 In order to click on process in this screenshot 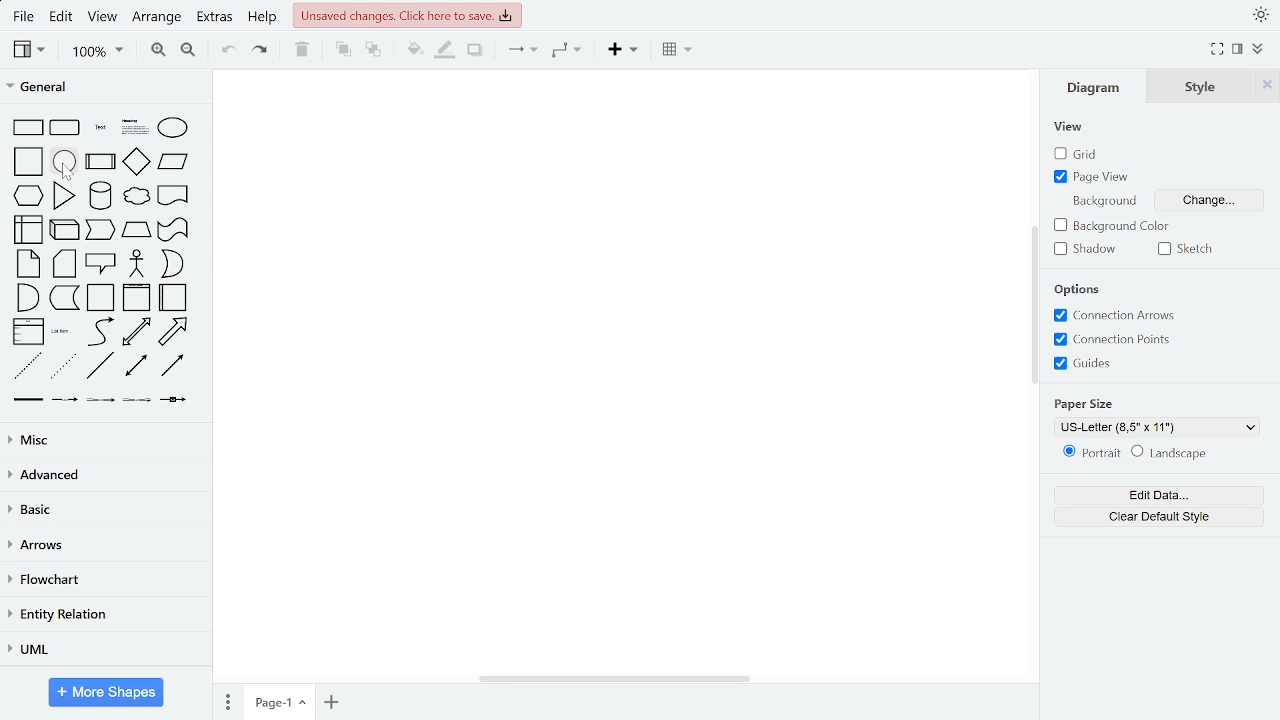, I will do `click(100, 162)`.